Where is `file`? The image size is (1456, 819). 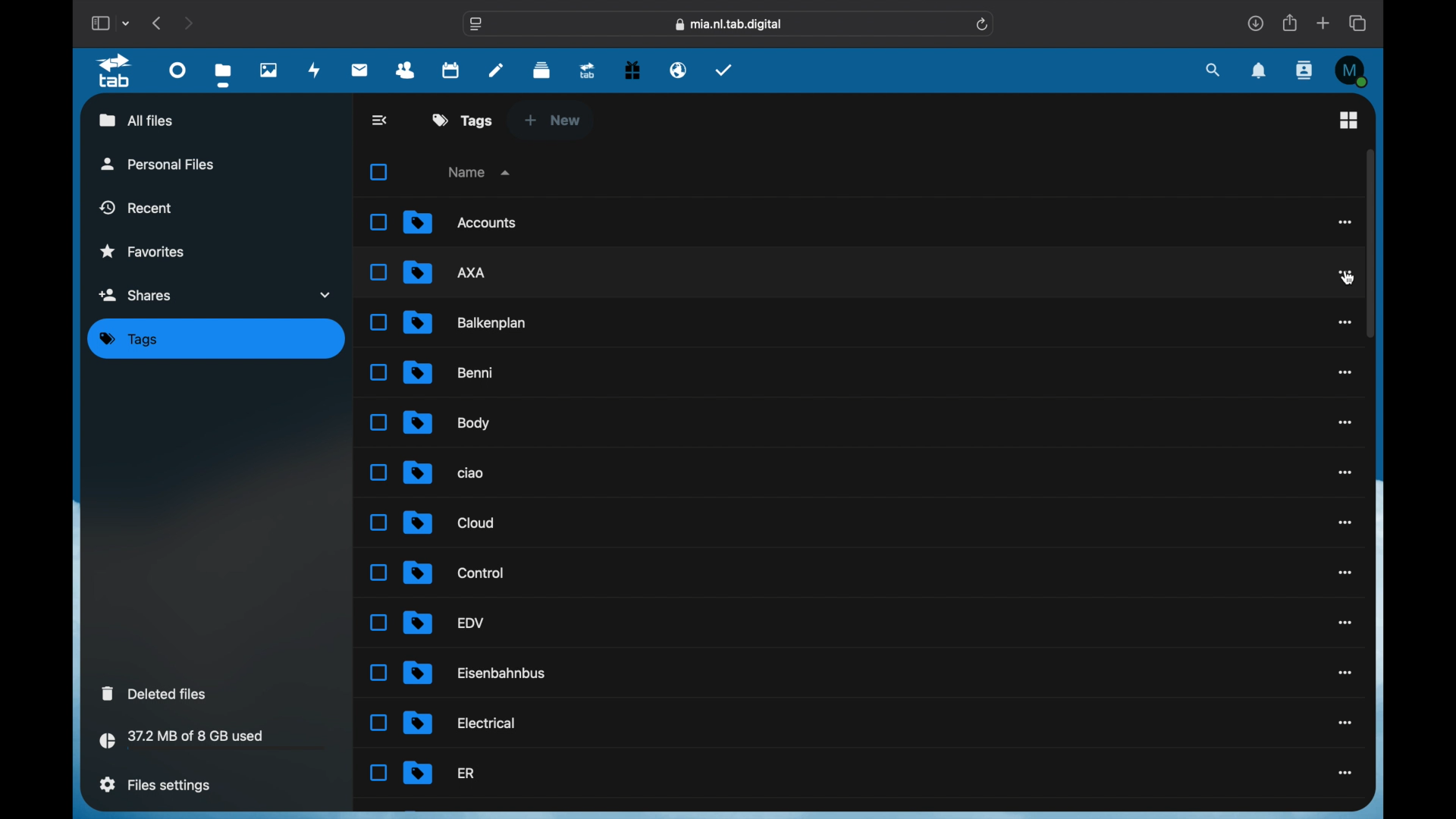
file is located at coordinates (447, 272).